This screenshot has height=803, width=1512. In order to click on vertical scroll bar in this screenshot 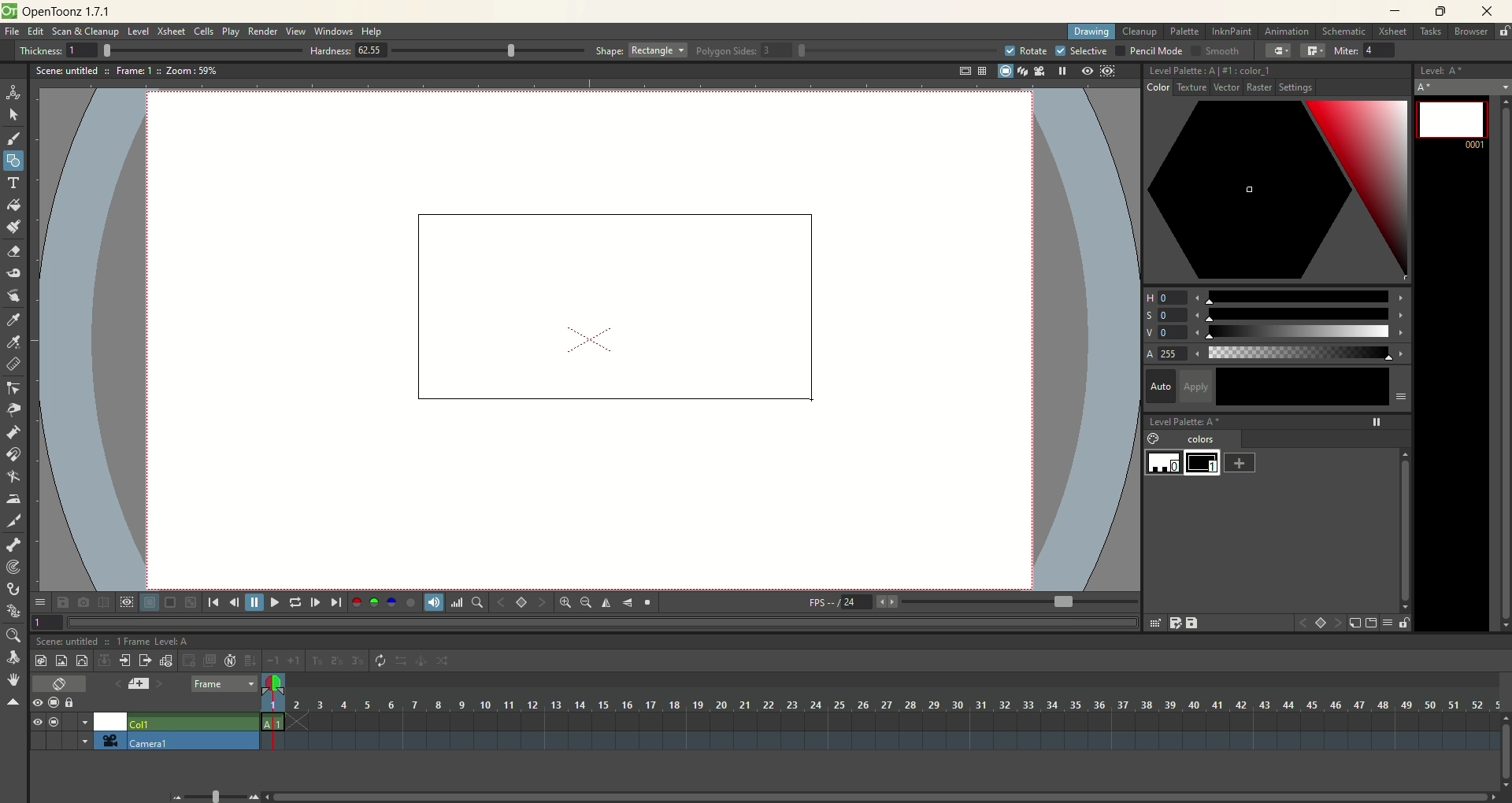, I will do `click(1501, 361)`.